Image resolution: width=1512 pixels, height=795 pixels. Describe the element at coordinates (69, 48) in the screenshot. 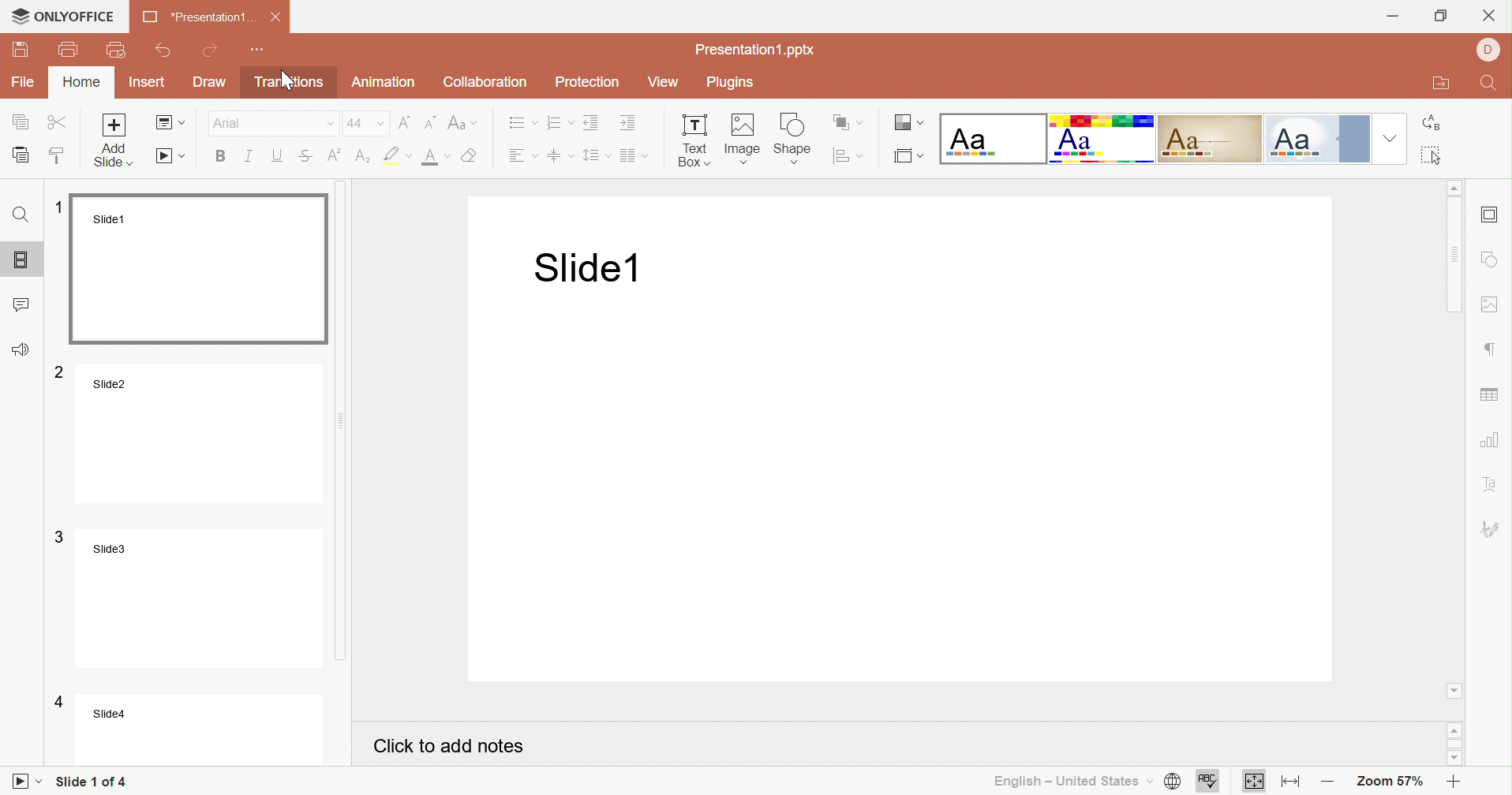

I see `Print file` at that location.